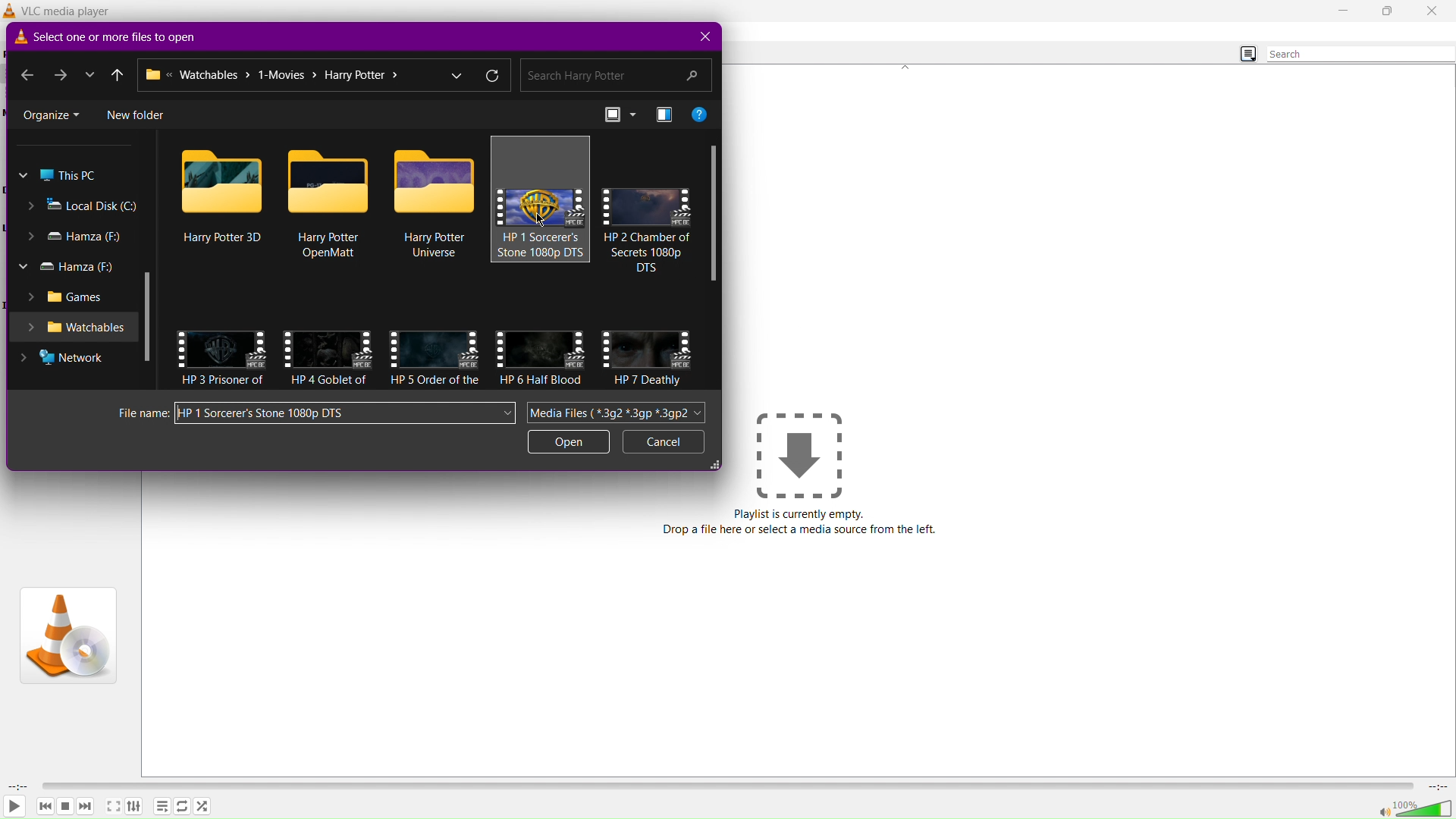 This screenshot has height=819, width=1456. What do you see at coordinates (730, 784) in the screenshot?
I see `Timeline` at bounding box center [730, 784].